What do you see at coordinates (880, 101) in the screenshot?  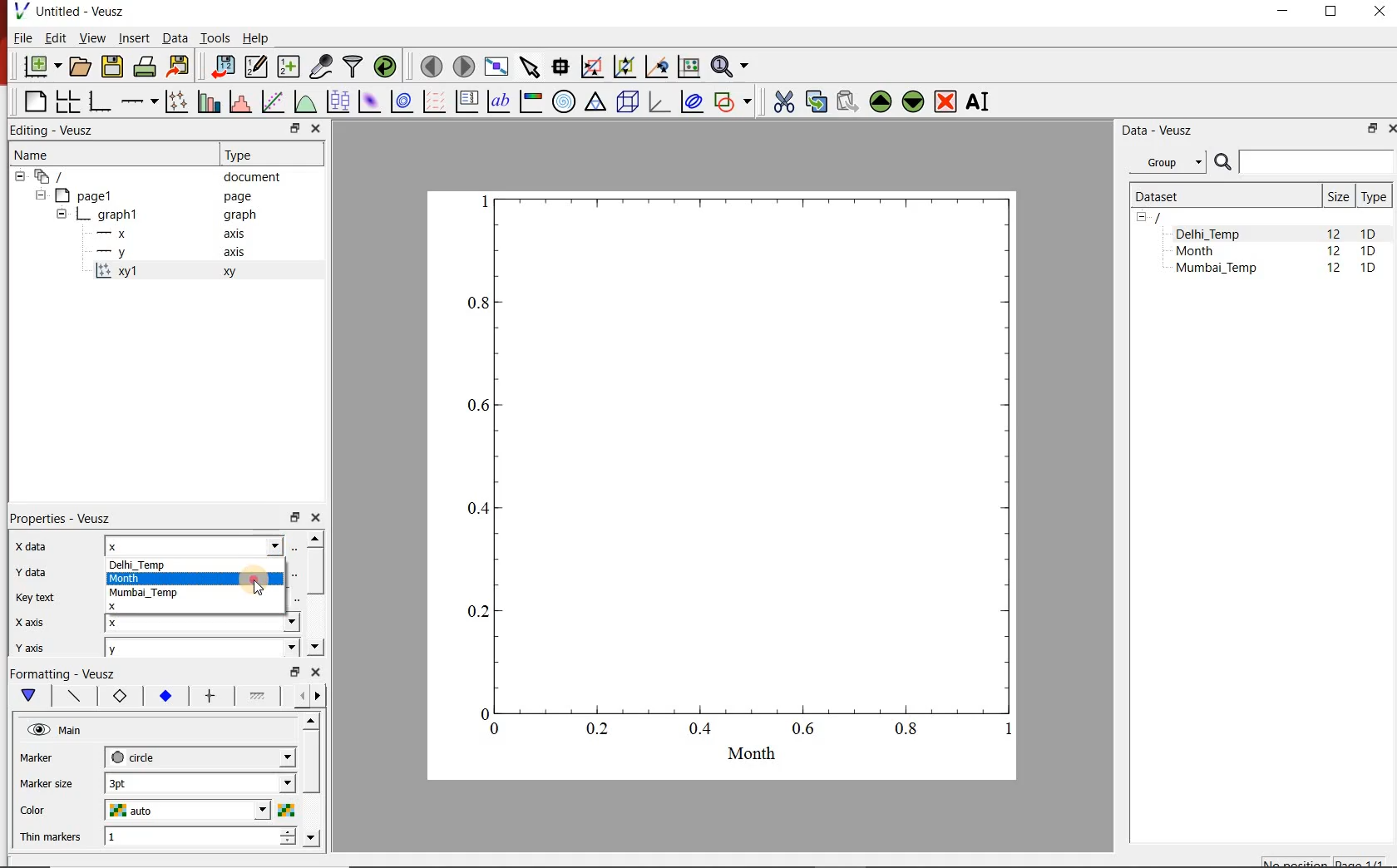 I see `move the selected widget up` at bounding box center [880, 101].